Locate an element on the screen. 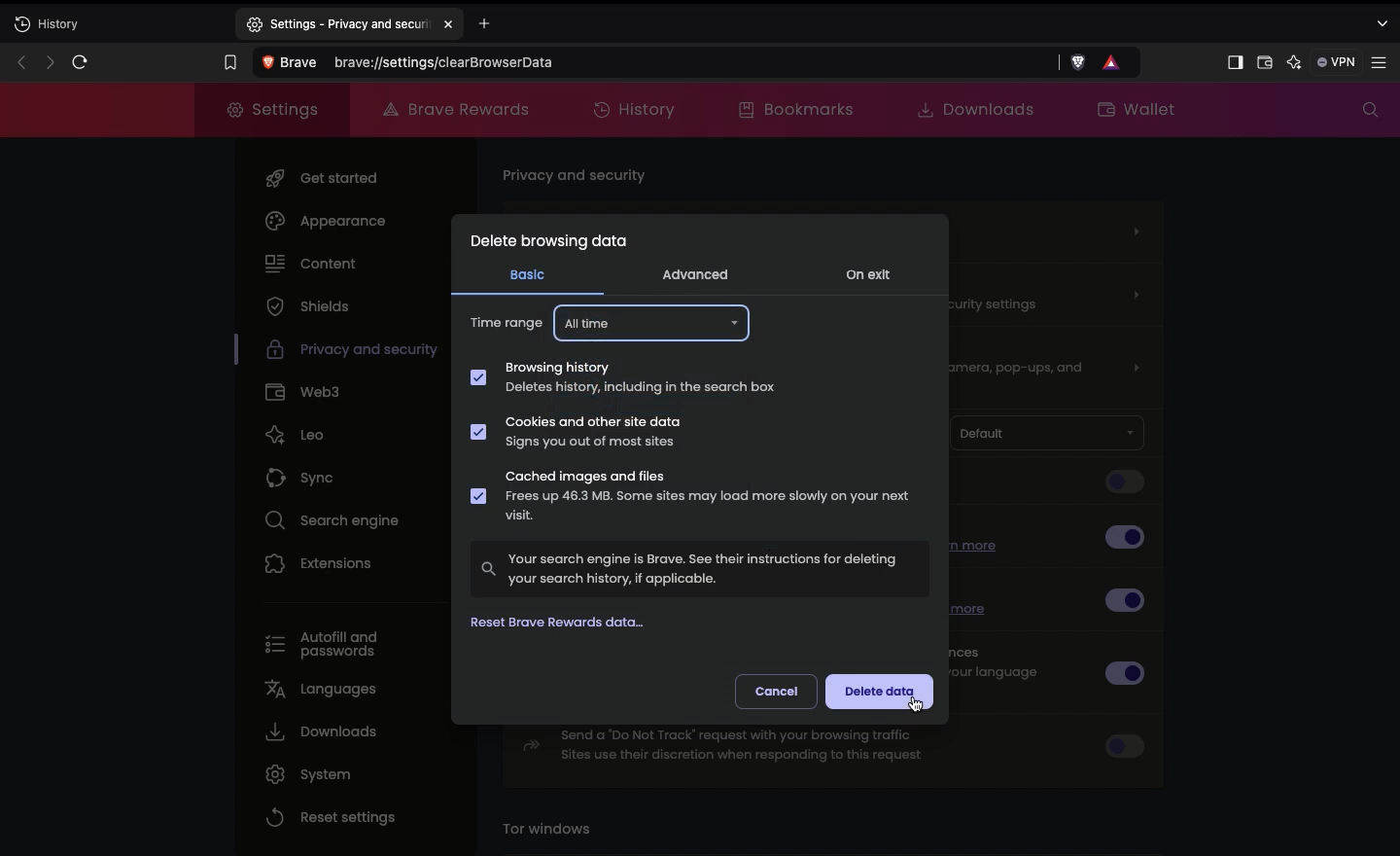 This screenshot has width=1400, height=856. rewards is located at coordinates (1113, 61).